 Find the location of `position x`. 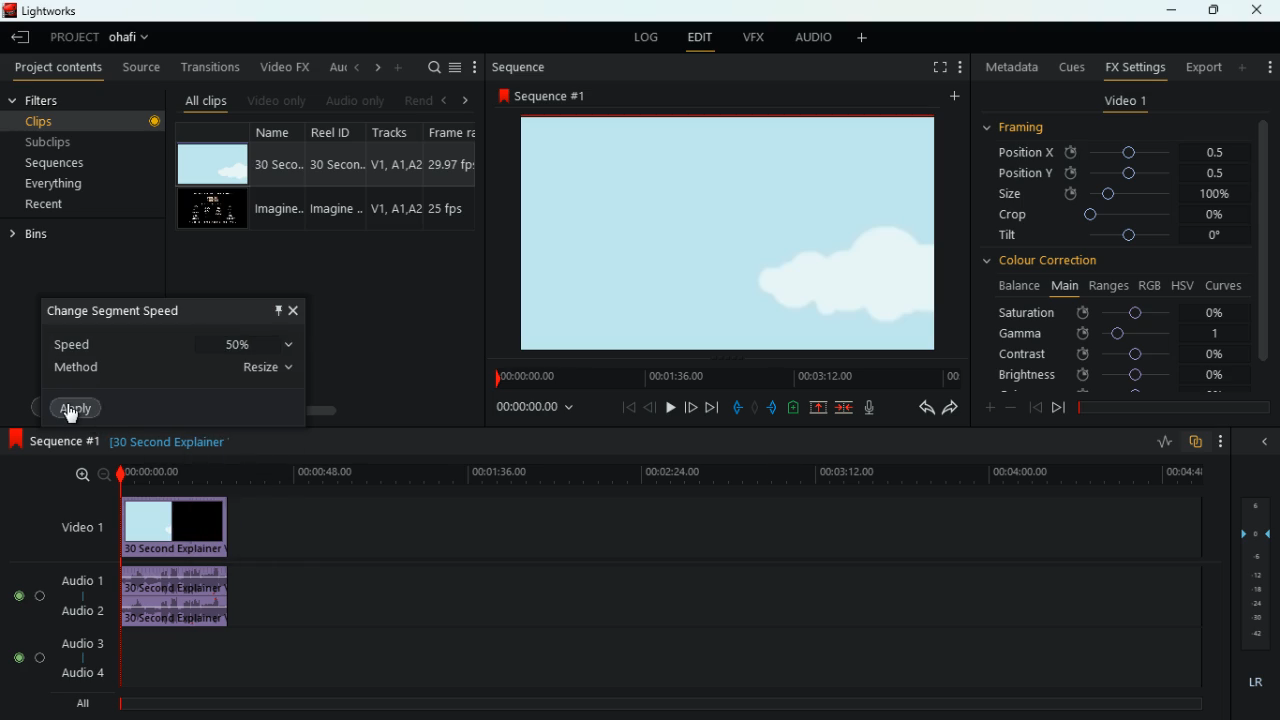

position x is located at coordinates (1116, 152).